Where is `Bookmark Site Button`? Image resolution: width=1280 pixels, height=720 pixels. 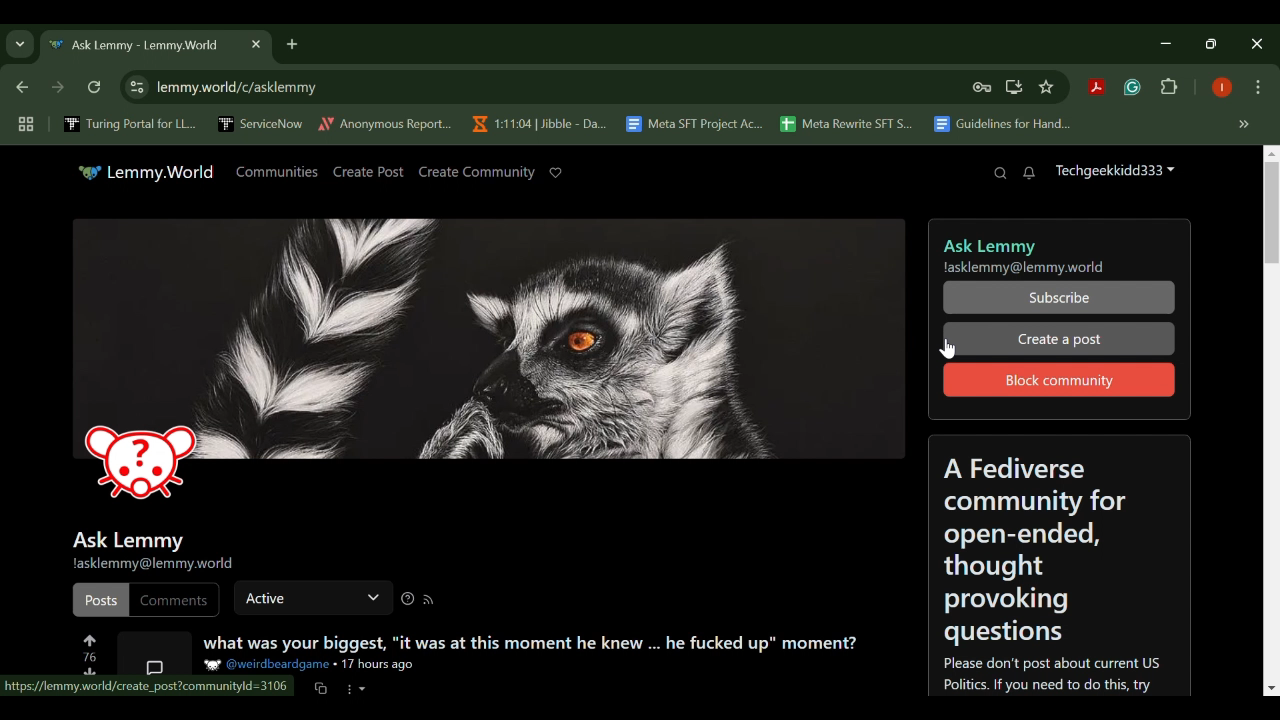
Bookmark Site Button is located at coordinates (1046, 88).